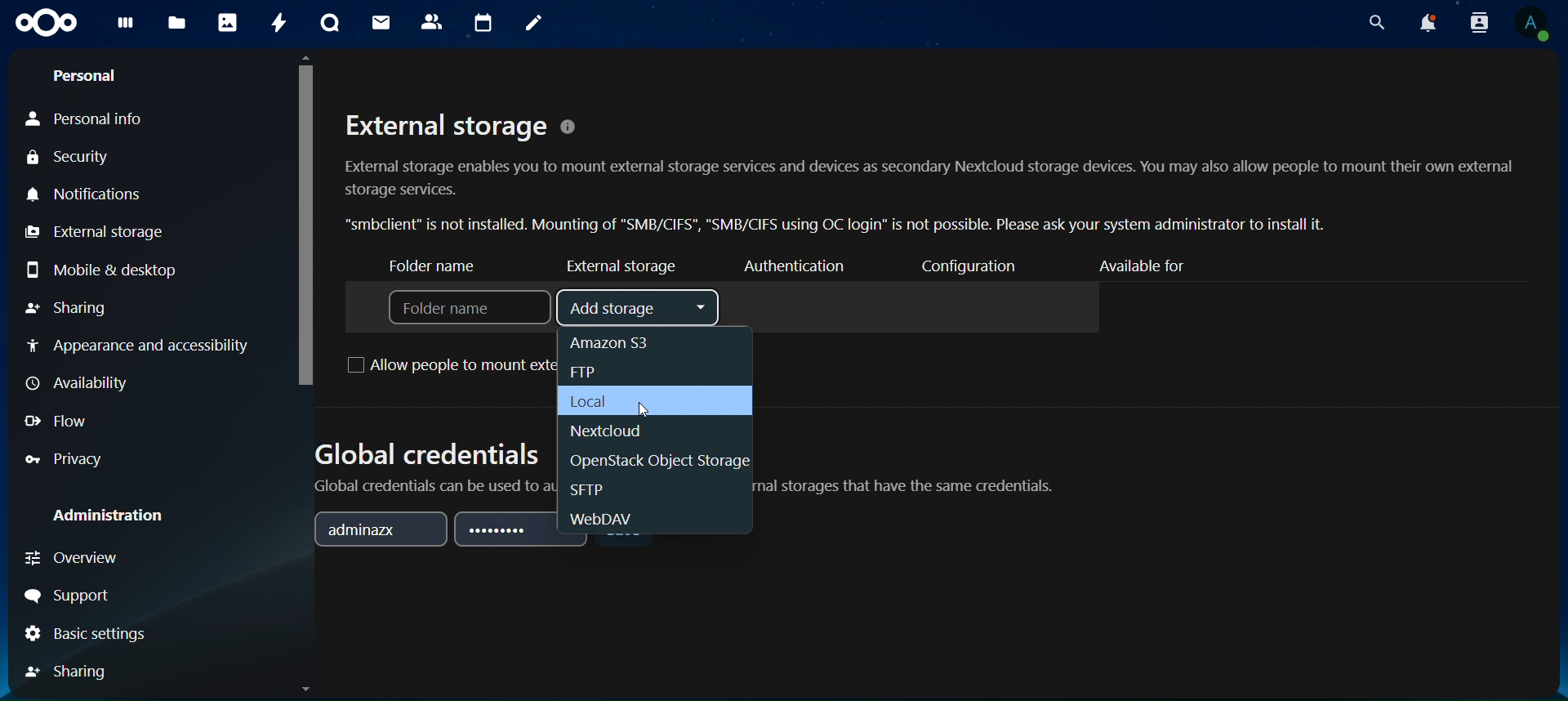 This screenshot has width=1568, height=701. Describe the element at coordinates (93, 232) in the screenshot. I see `external storage` at that location.